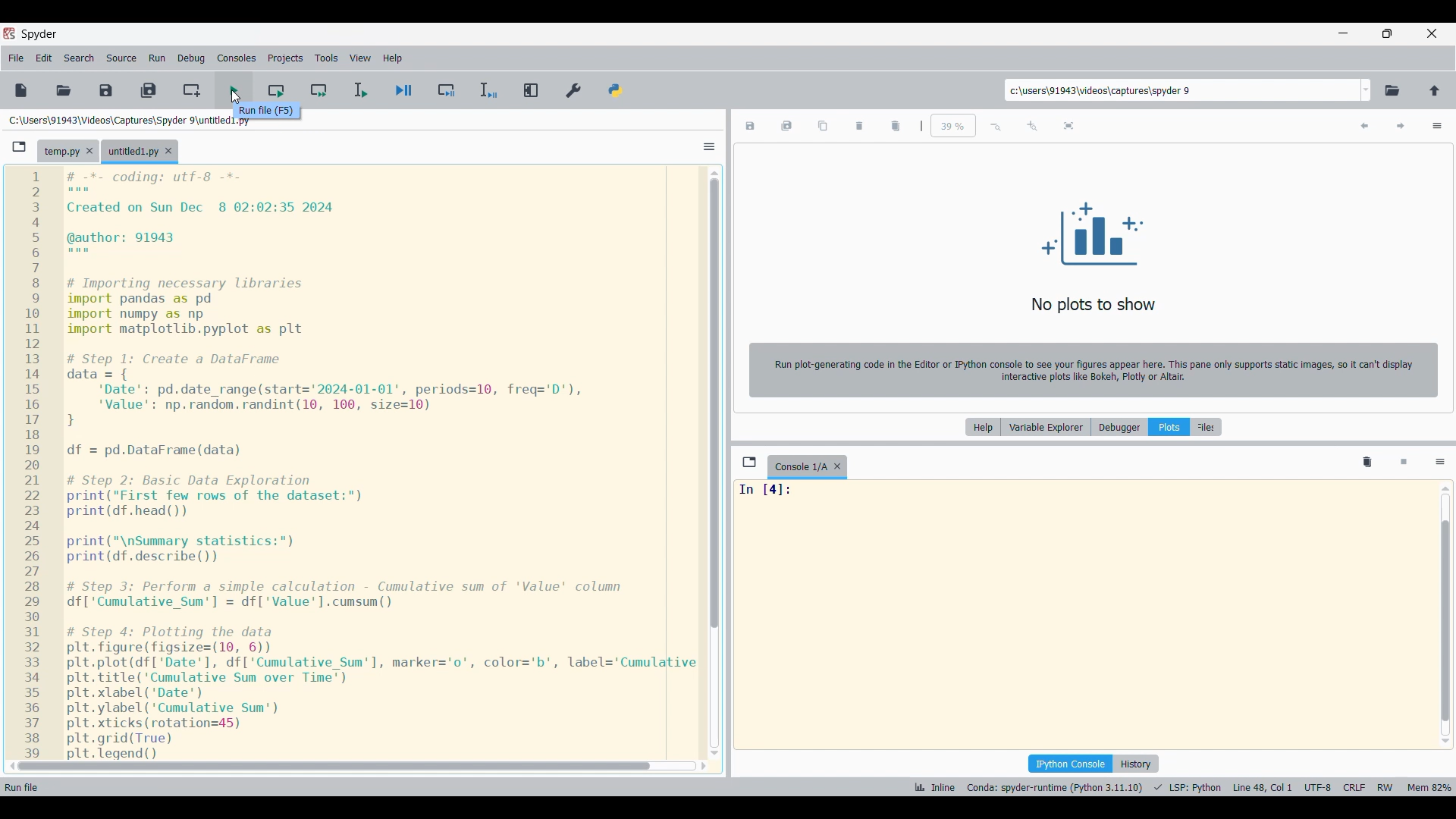 This screenshot has height=819, width=1456. Describe the element at coordinates (119, 120) in the screenshot. I see `Location of new file` at that location.